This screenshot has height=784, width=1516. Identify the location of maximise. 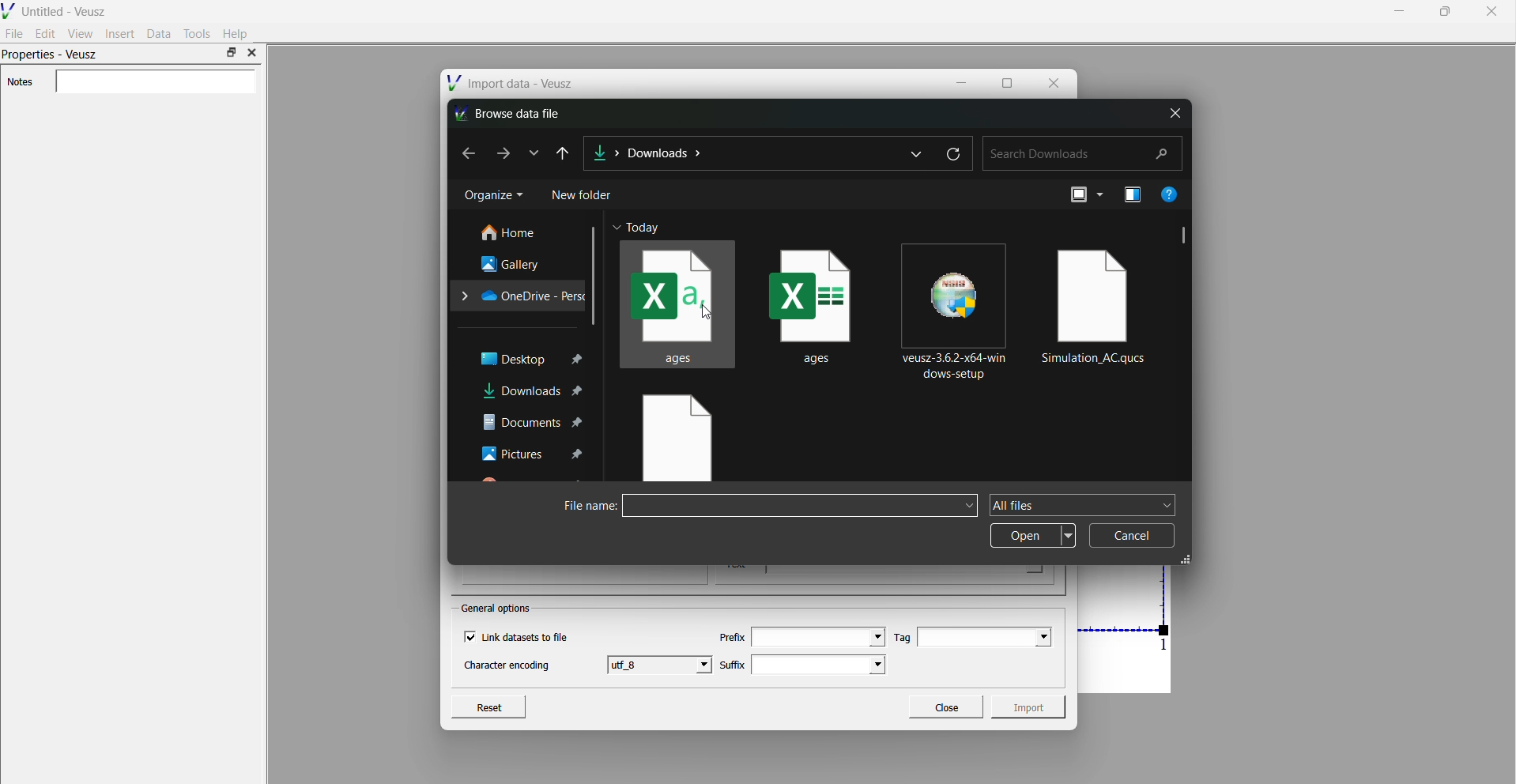
(1442, 11).